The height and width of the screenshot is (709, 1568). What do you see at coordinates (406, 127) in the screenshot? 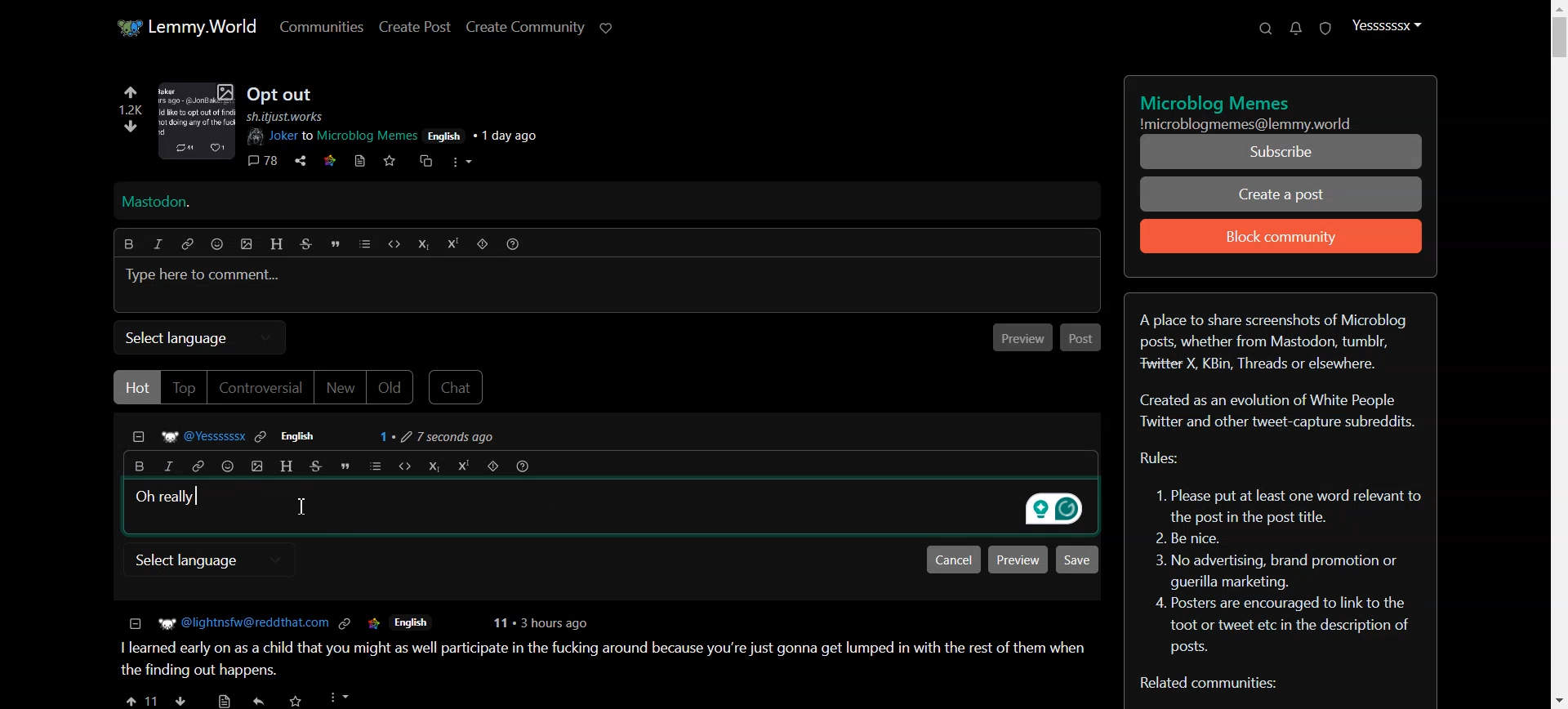
I see `post details` at bounding box center [406, 127].